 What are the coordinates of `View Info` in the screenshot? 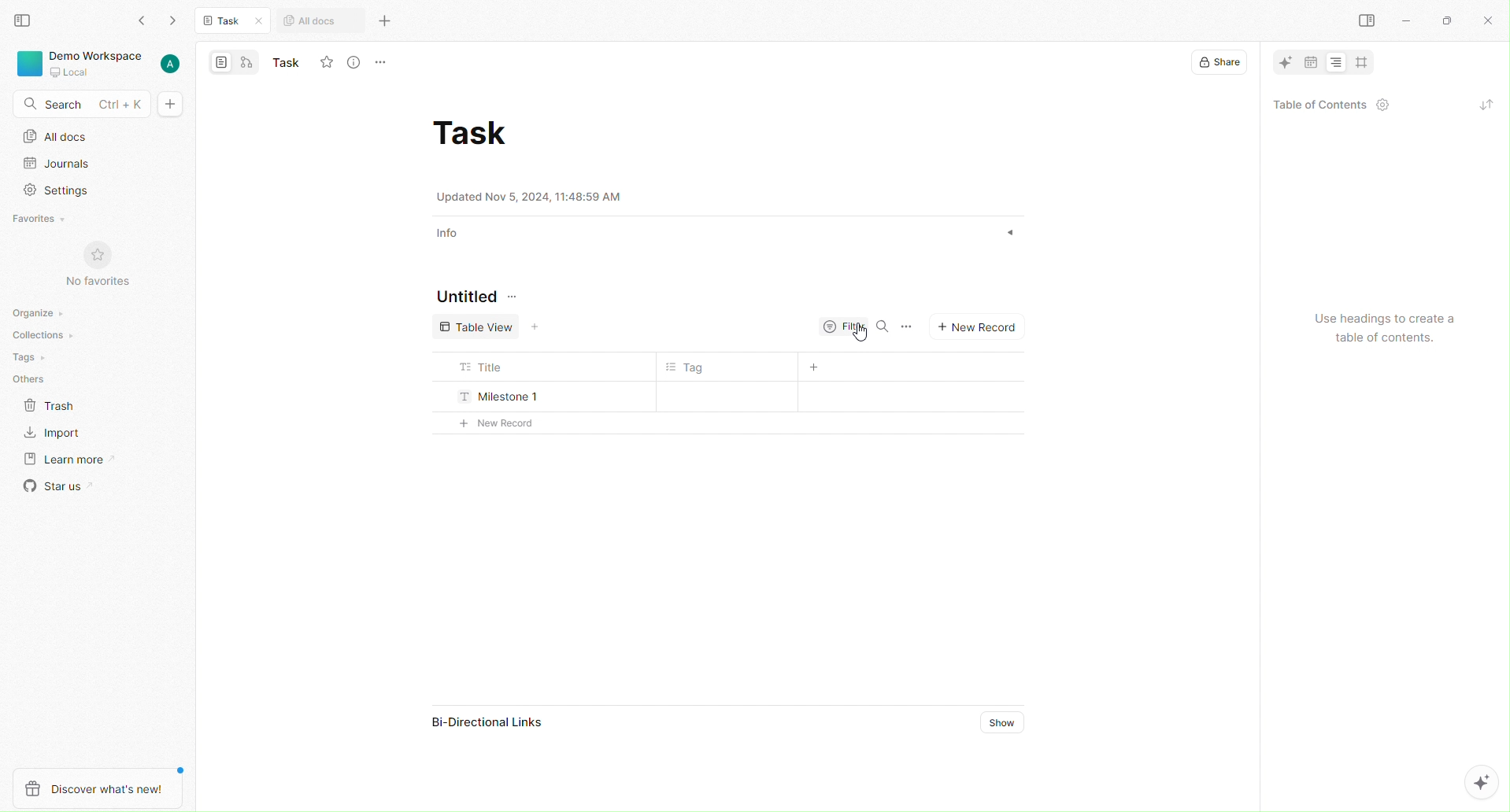 It's located at (358, 63).